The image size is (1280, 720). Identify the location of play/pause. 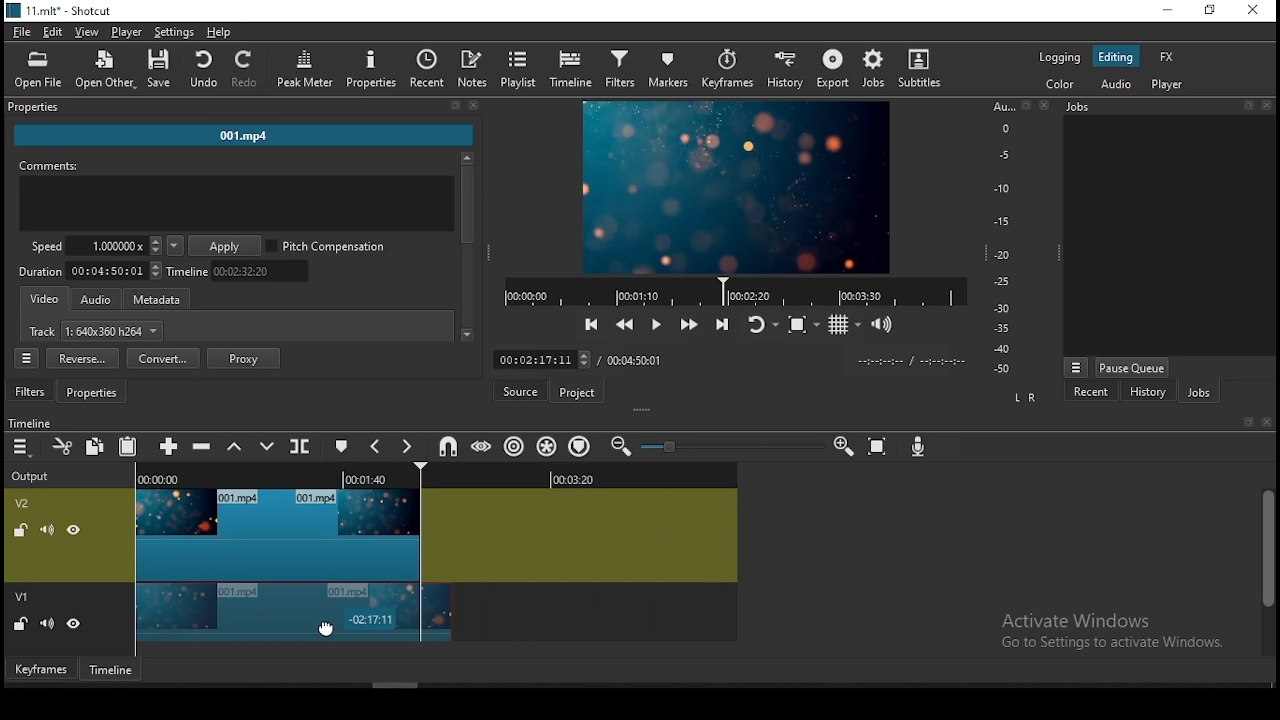
(659, 322).